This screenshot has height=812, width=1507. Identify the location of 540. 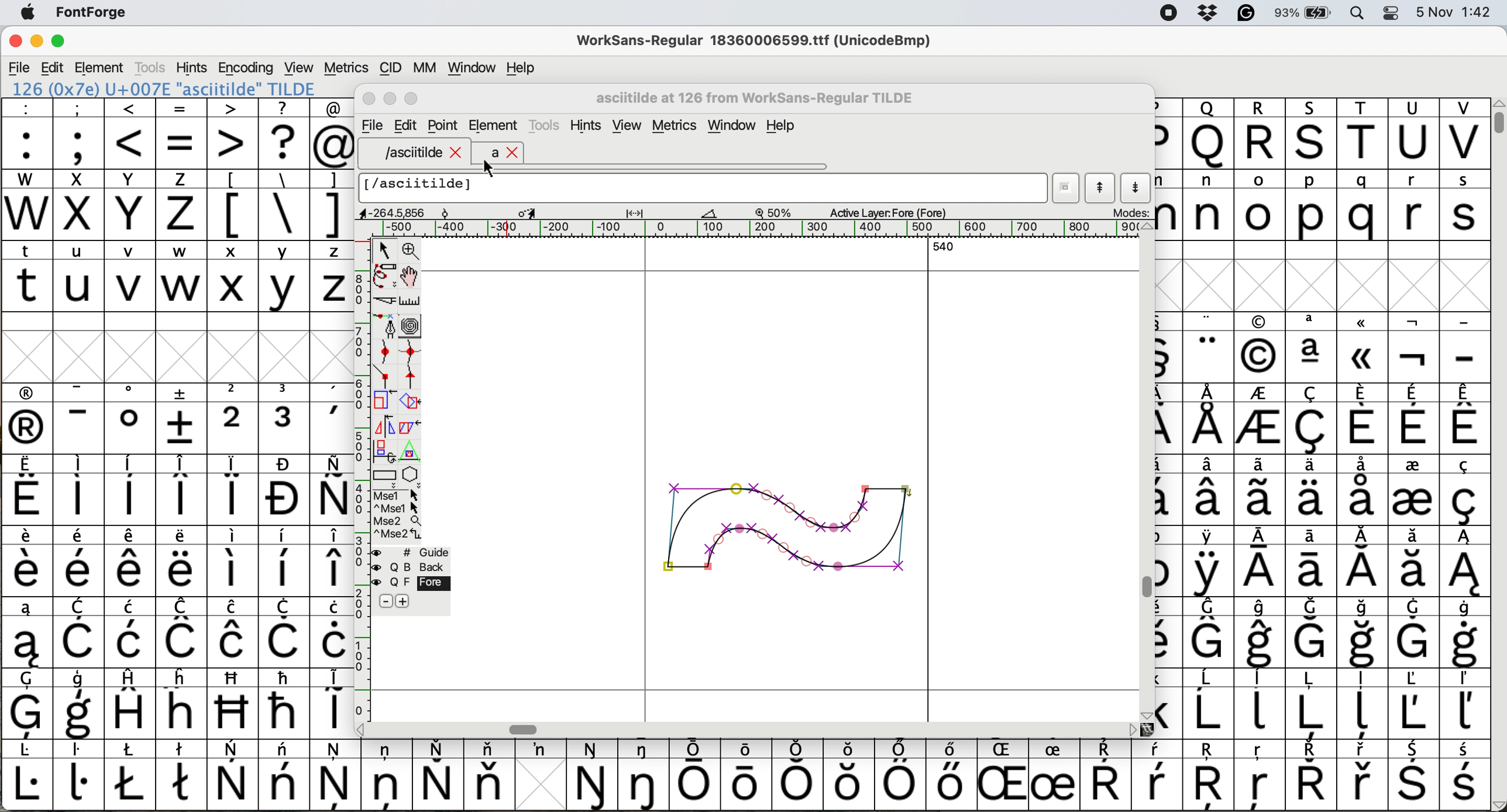
(944, 248).